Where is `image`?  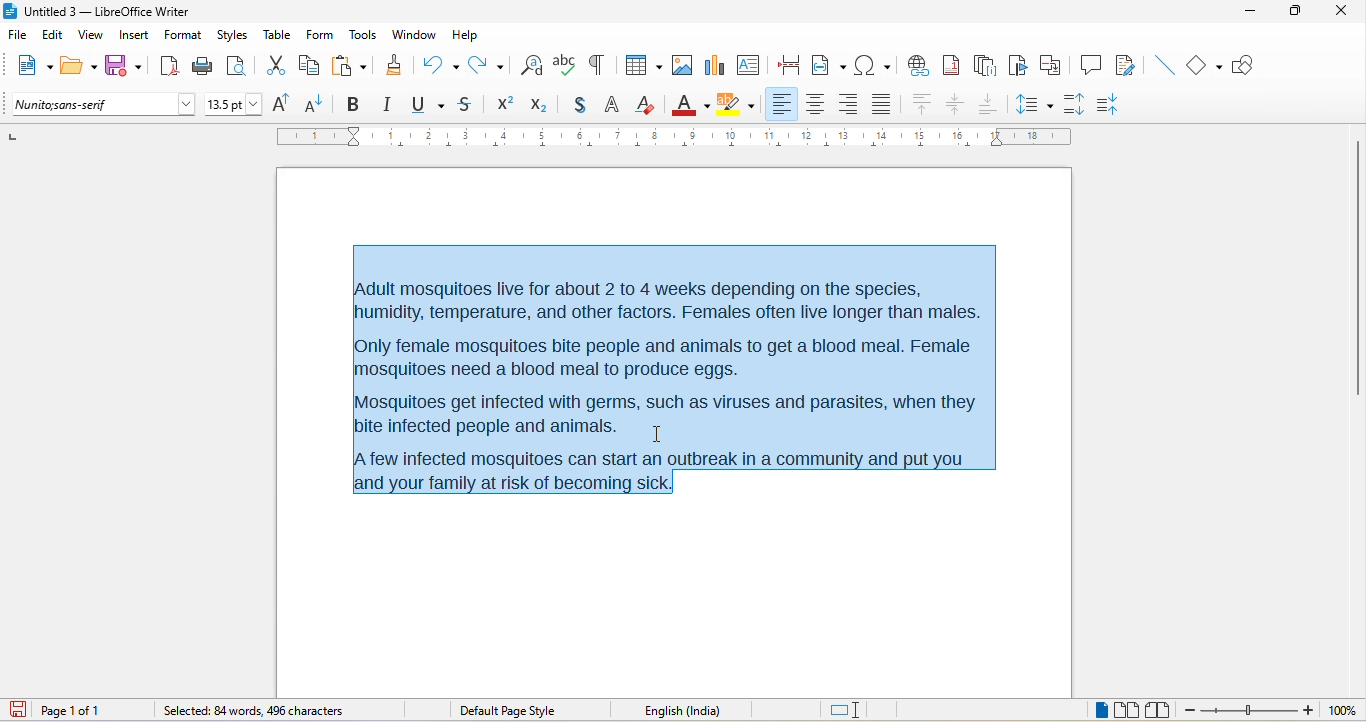
image is located at coordinates (681, 65).